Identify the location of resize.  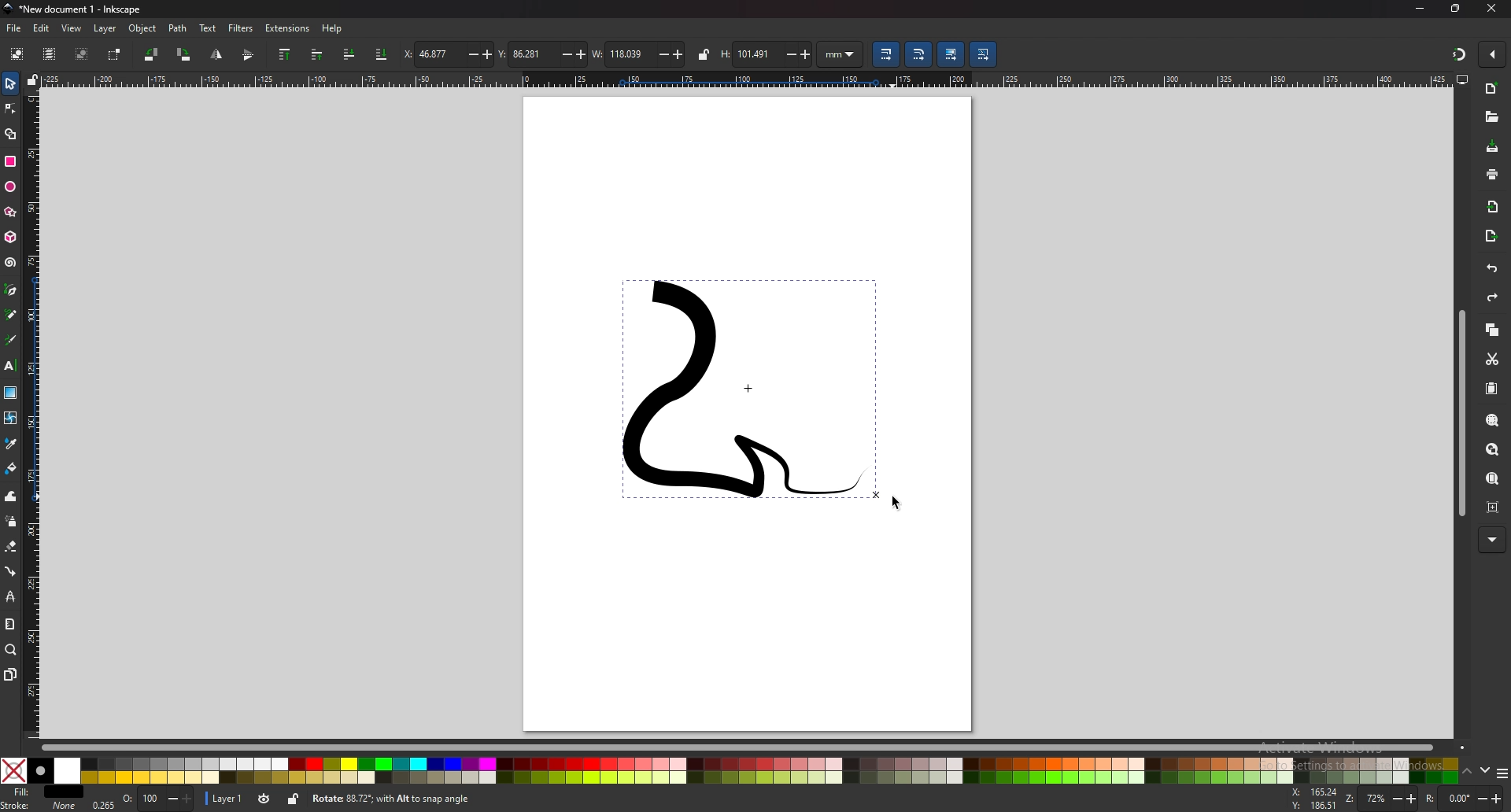
(1457, 9).